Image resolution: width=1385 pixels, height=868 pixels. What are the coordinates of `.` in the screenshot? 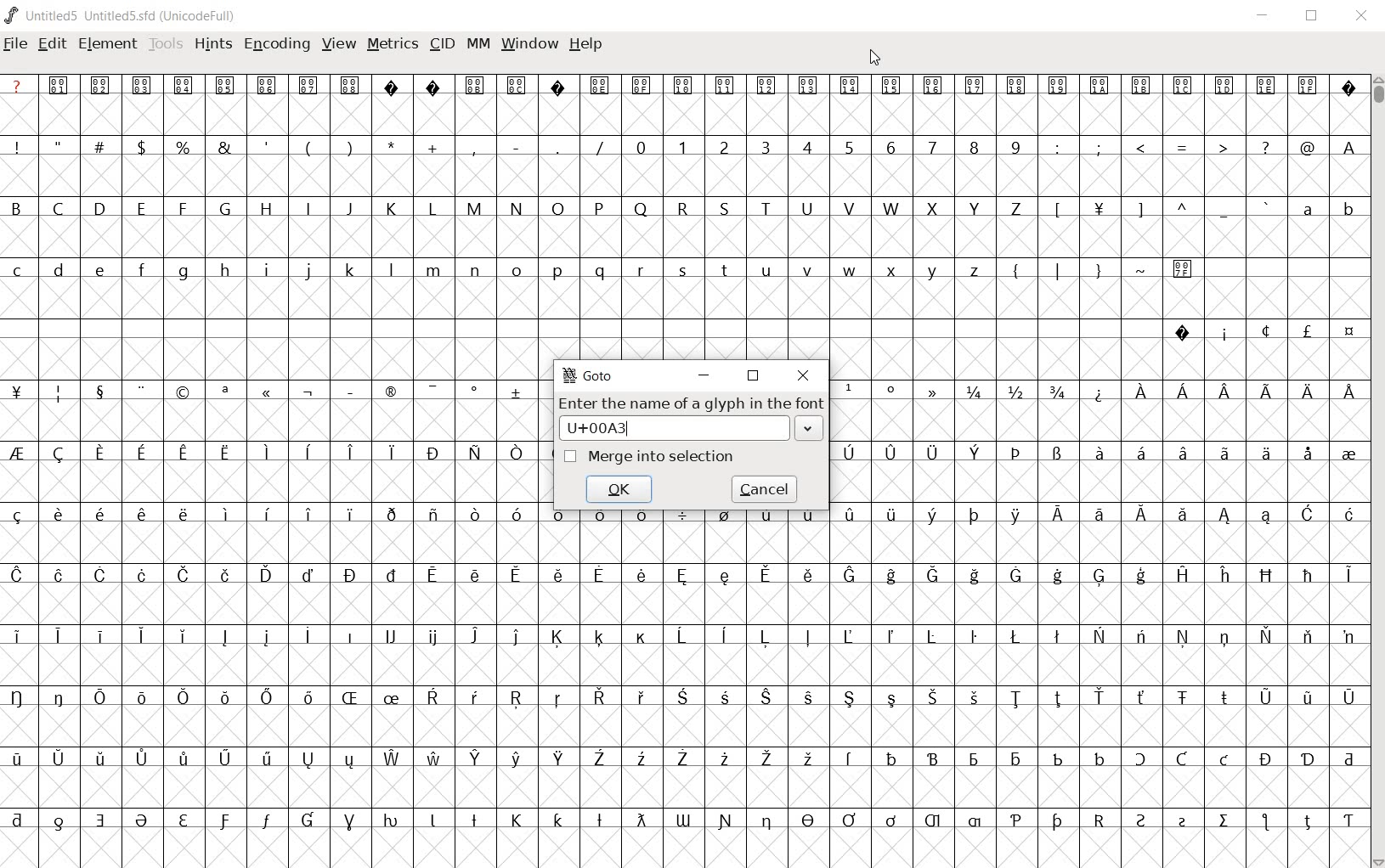 It's located at (557, 146).